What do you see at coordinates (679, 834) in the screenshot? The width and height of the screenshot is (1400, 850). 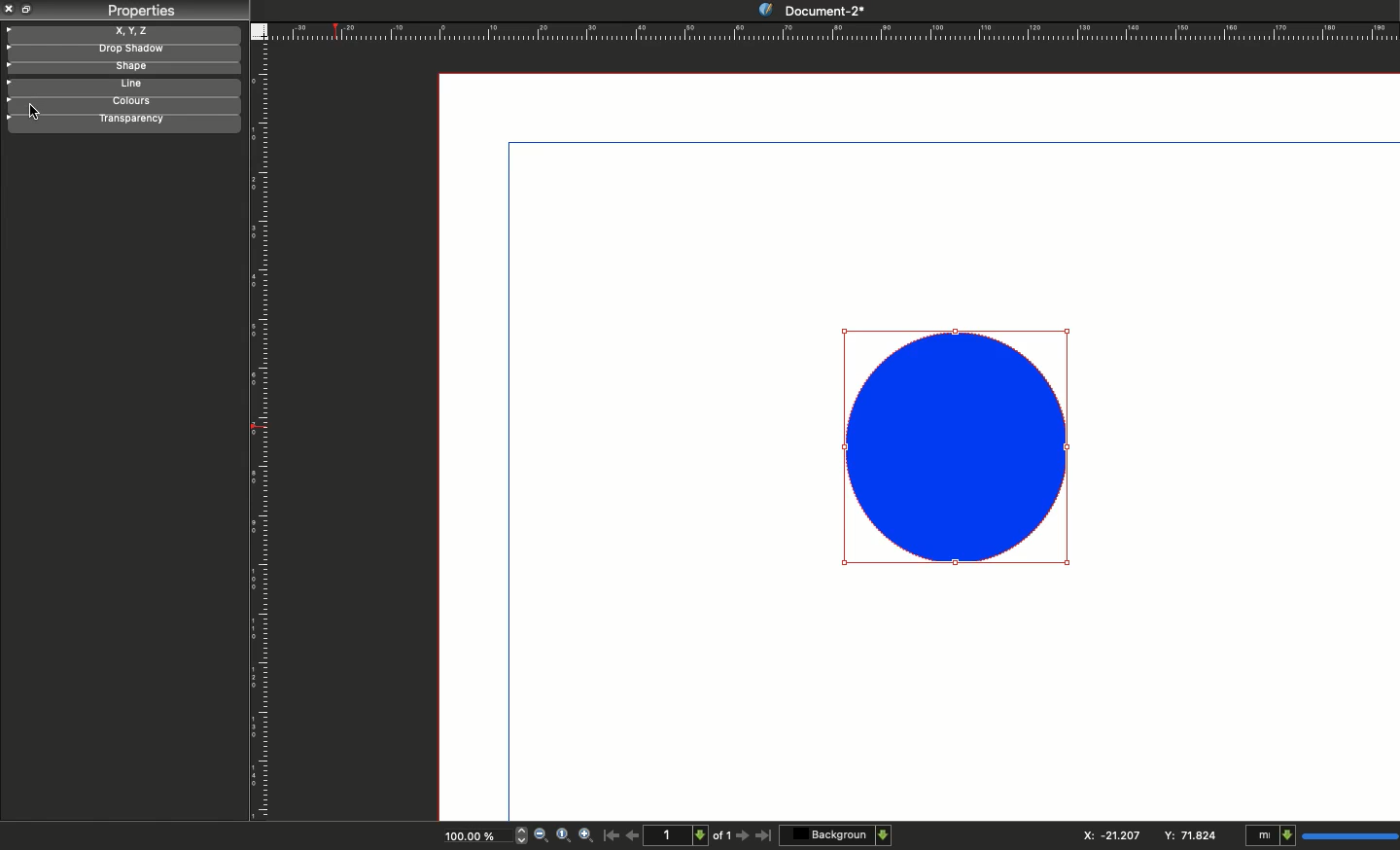 I see `1` at bounding box center [679, 834].